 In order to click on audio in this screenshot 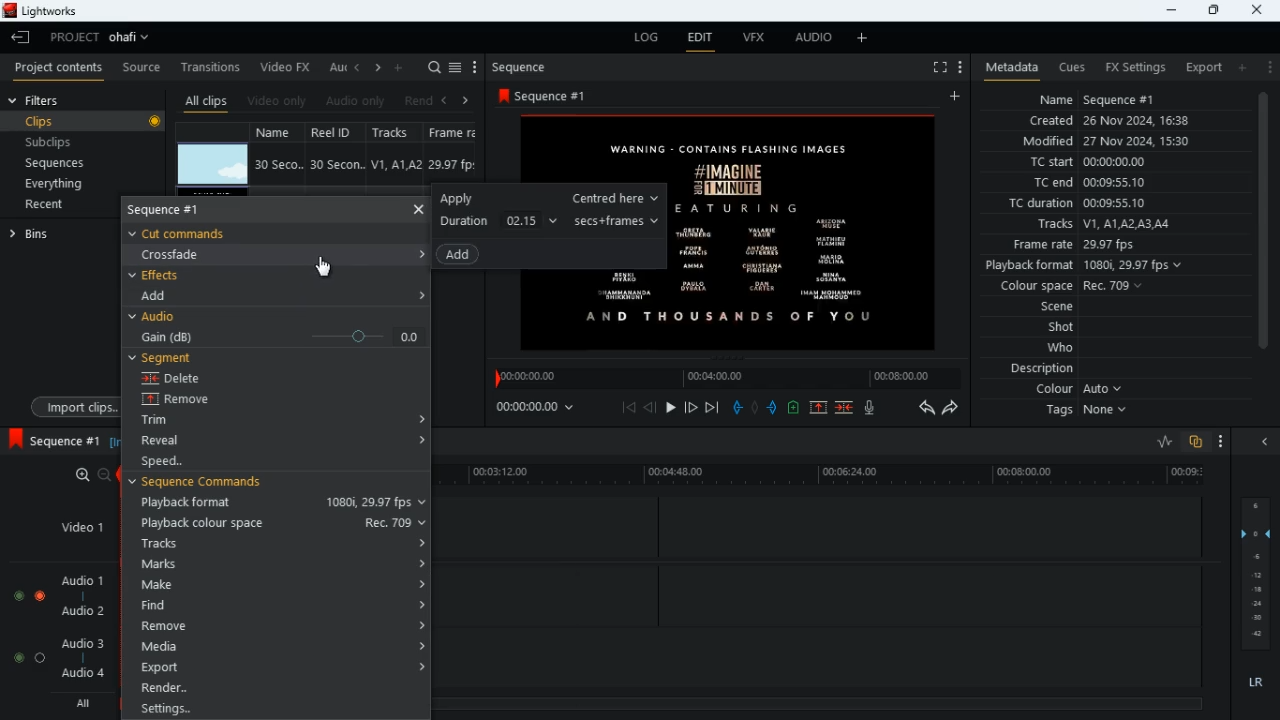, I will do `click(809, 39)`.